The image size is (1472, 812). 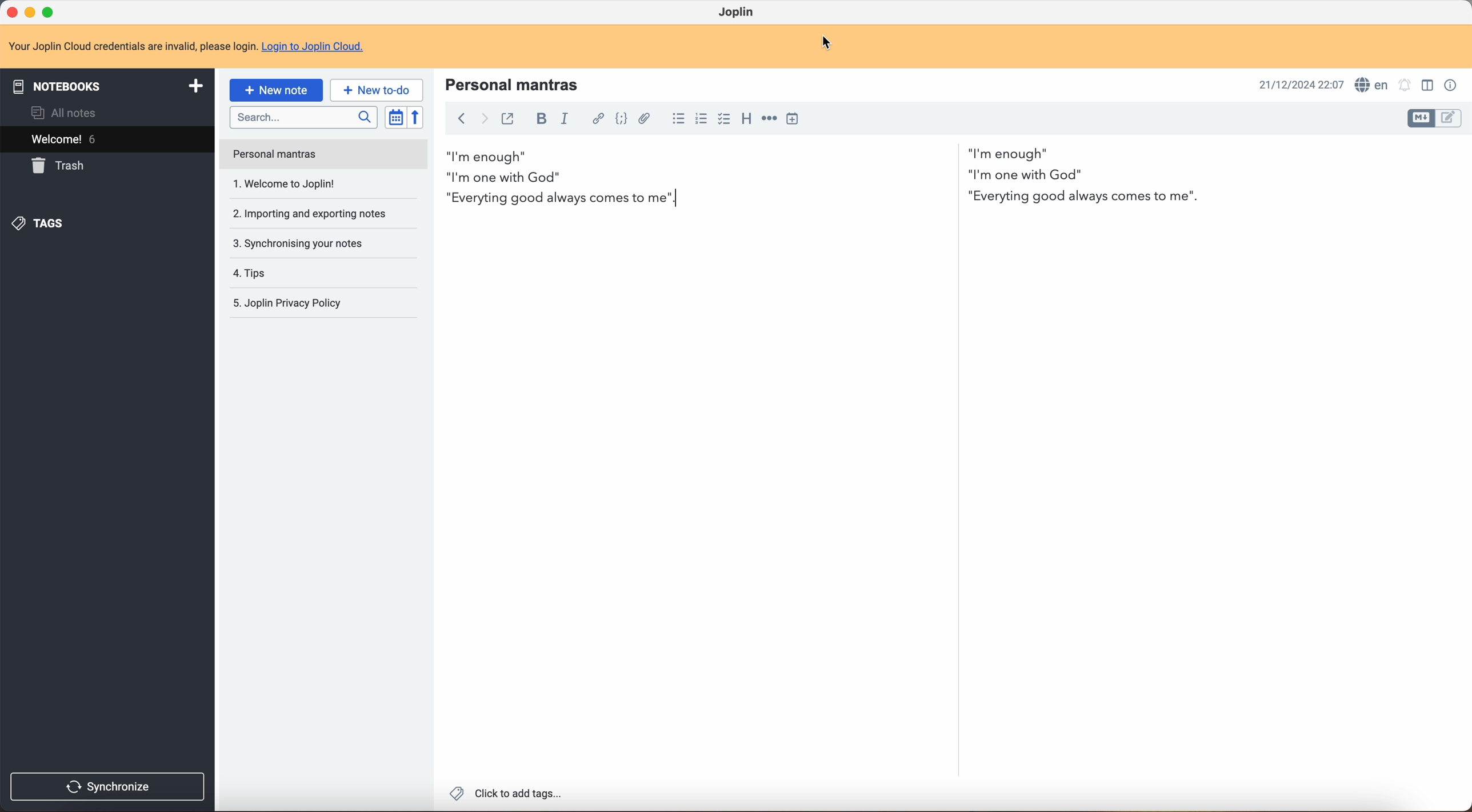 I want to click on reverse sort order, so click(x=416, y=118).